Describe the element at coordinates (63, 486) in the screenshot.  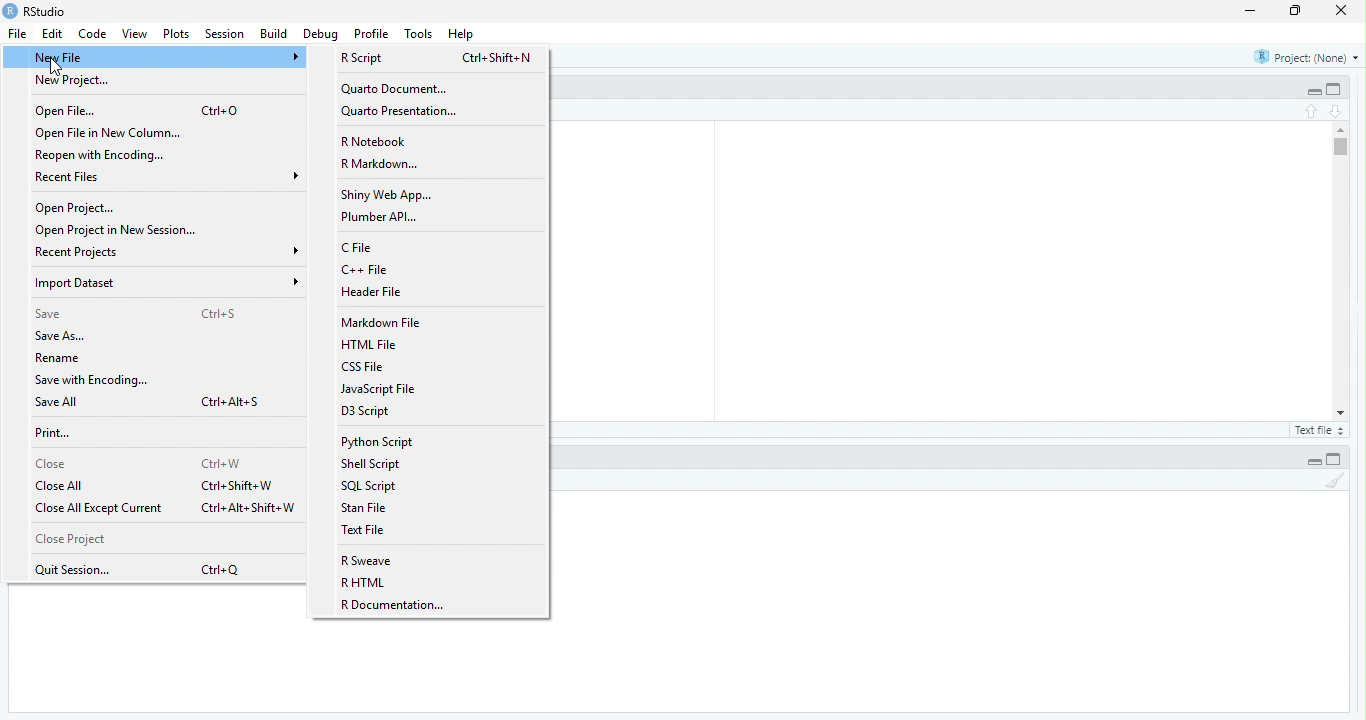
I see `Close All` at that location.